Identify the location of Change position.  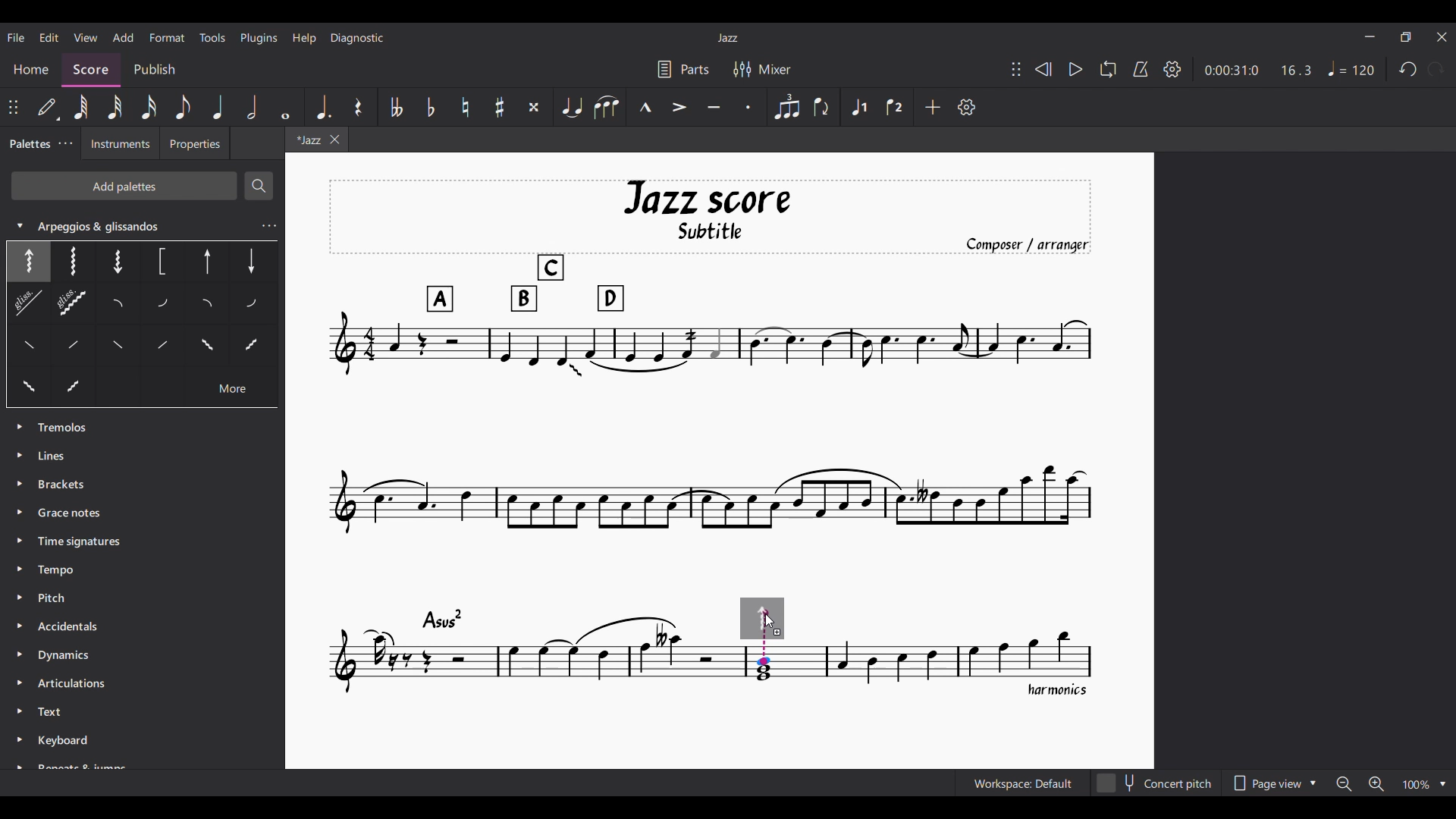
(1016, 69).